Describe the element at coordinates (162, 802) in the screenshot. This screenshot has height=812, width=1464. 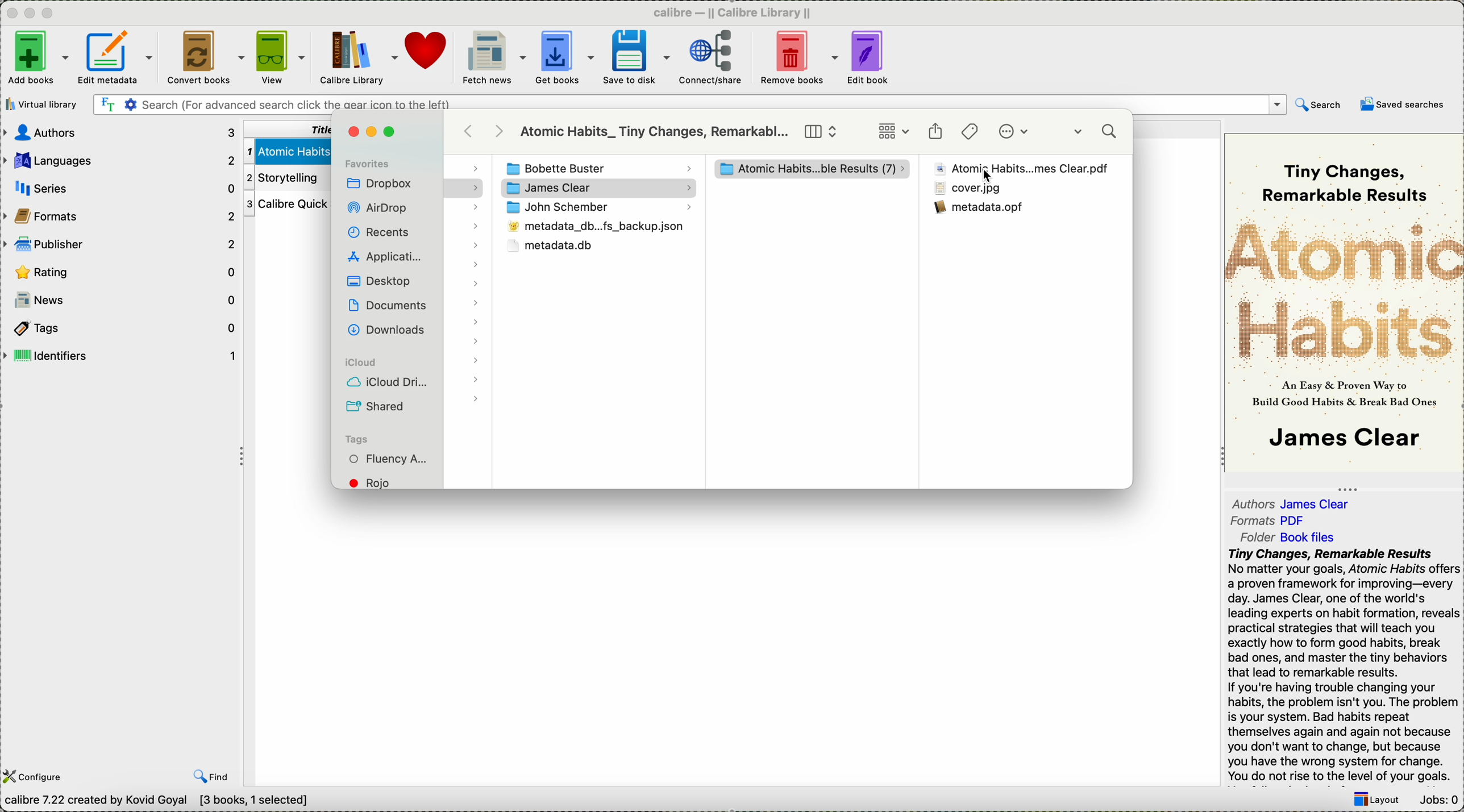
I see `data` at that location.